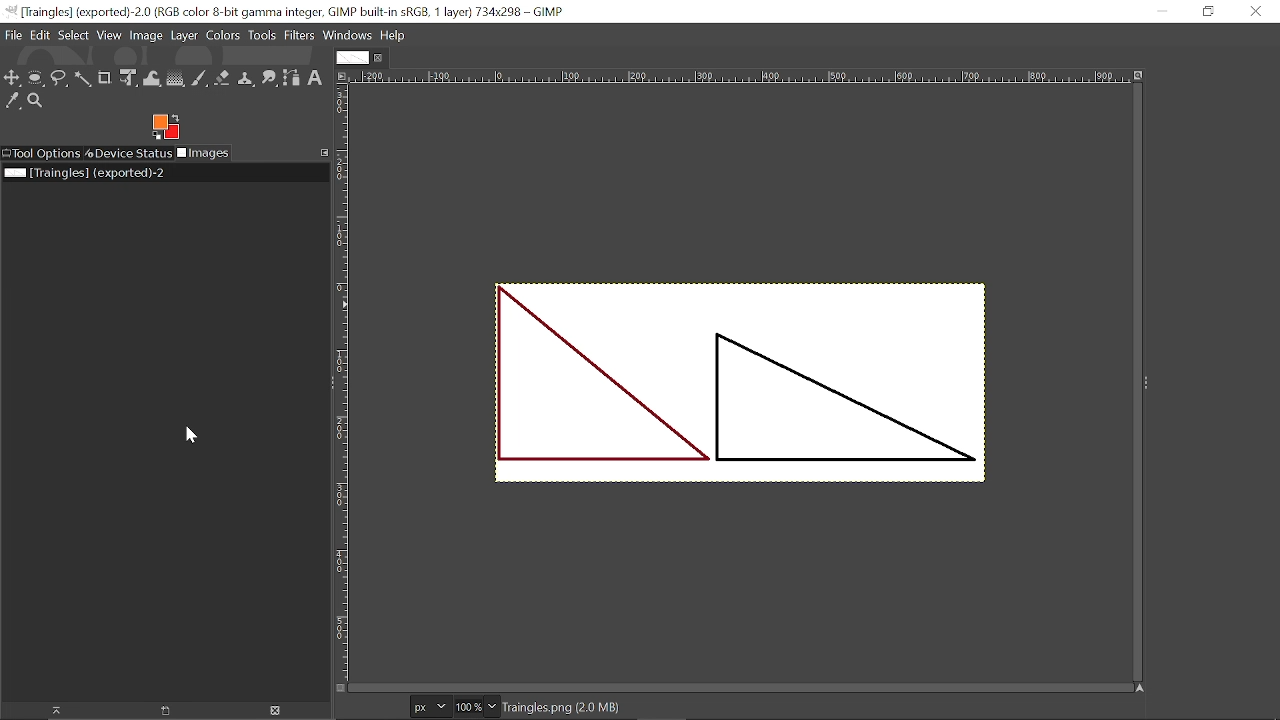 The image size is (1280, 720). Describe the element at coordinates (292, 79) in the screenshot. I see `paths tool` at that location.